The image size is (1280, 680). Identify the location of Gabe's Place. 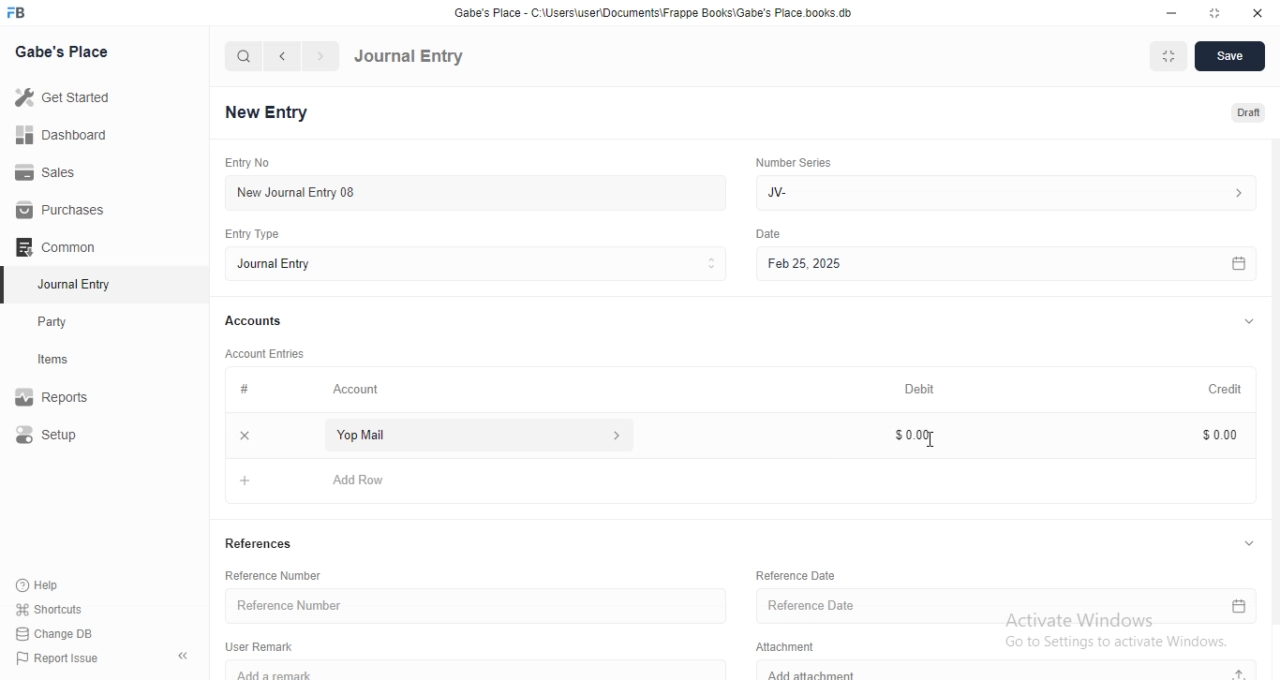
(61, 52).